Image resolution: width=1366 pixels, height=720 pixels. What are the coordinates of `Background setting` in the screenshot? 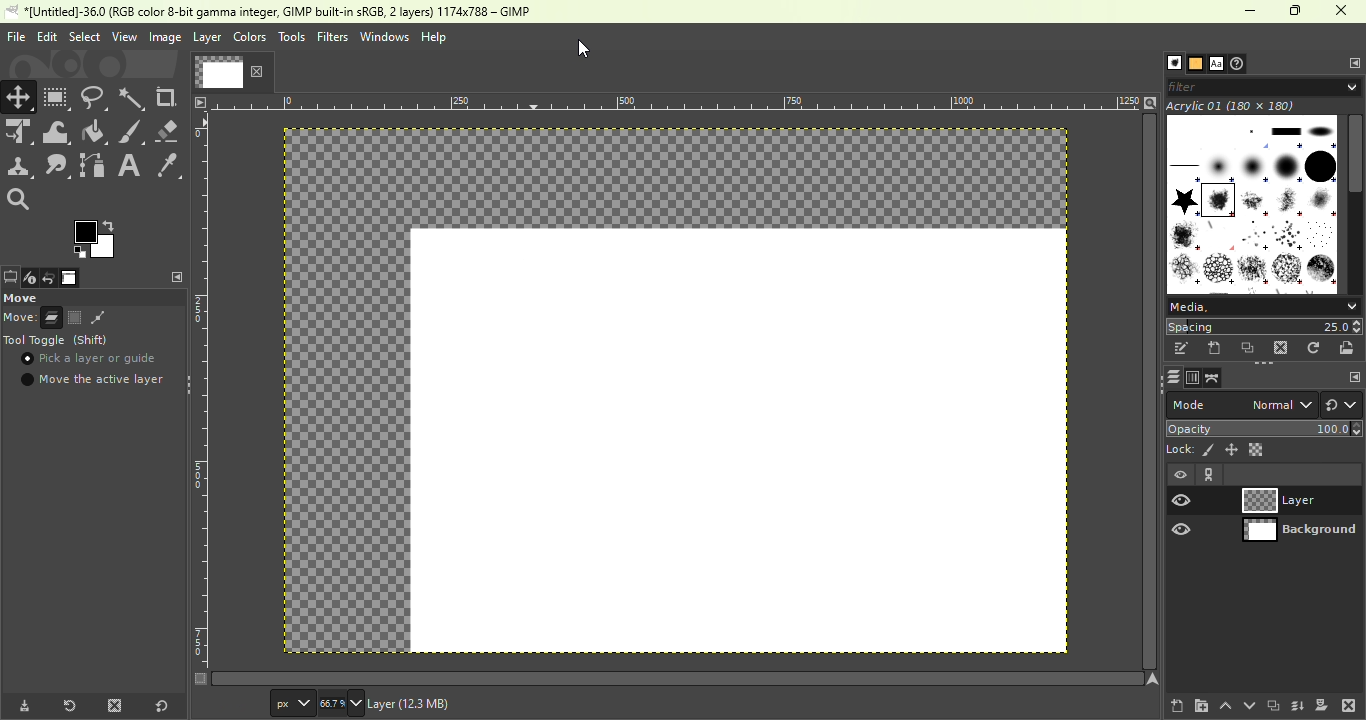 It's located at (1265, 500).